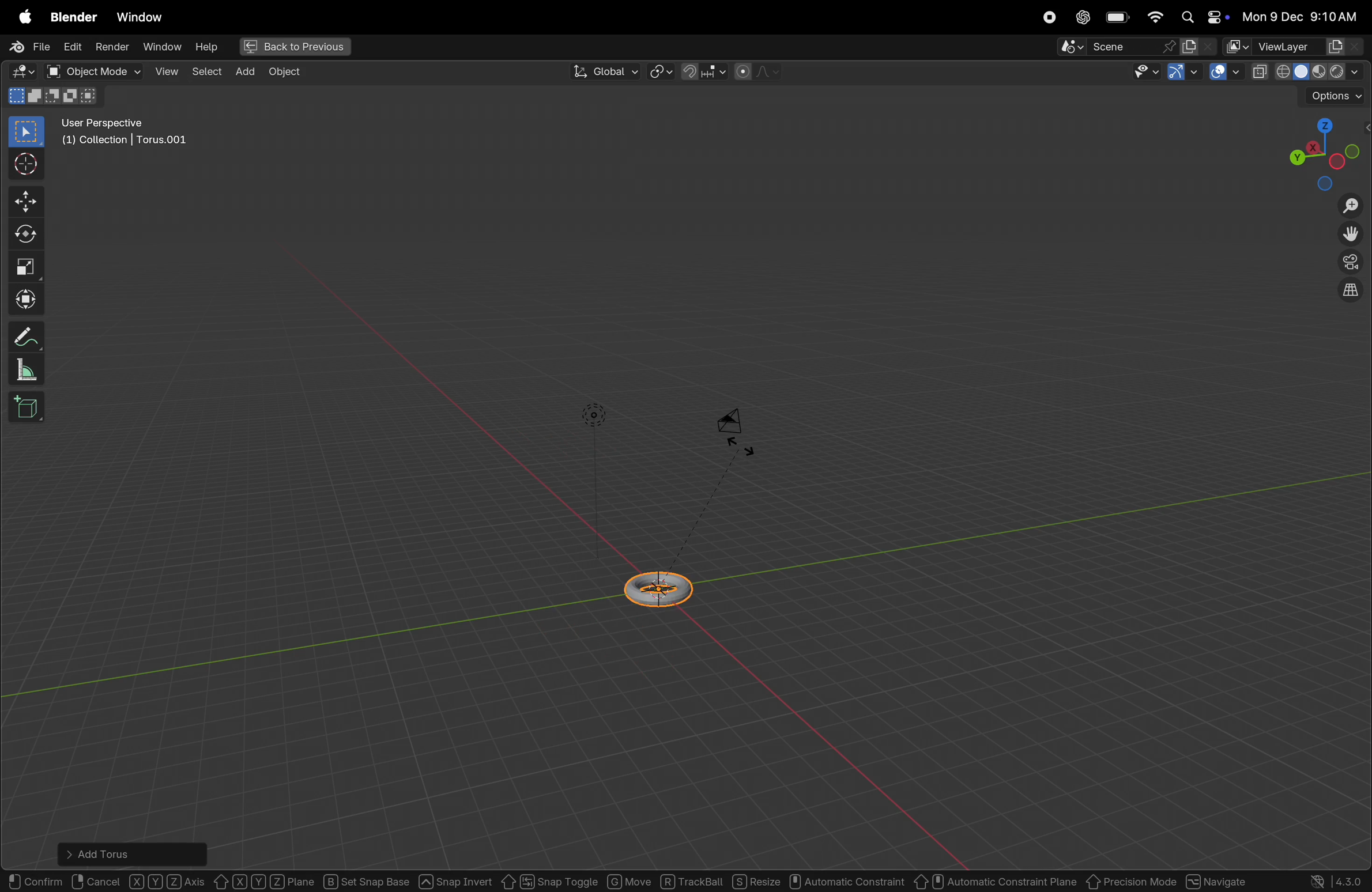 This screenshot has width=1372, height=892. What do you see at coordinates (70, 46) in the screenshot?
I see `edit` at bounding box center [70, 46].